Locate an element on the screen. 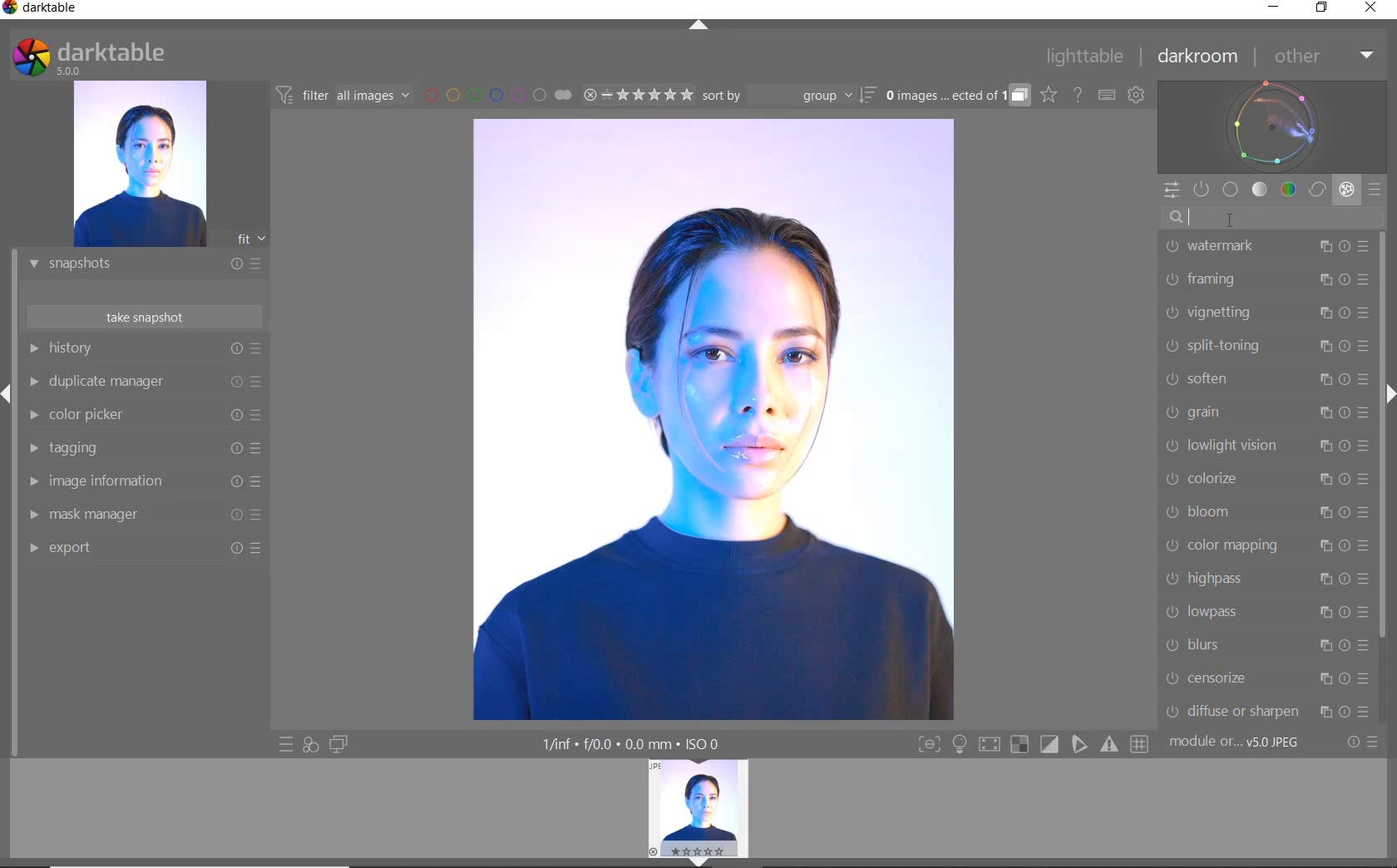  QUICK ACCESS TO PRESET is located at coordinates (287, 746).